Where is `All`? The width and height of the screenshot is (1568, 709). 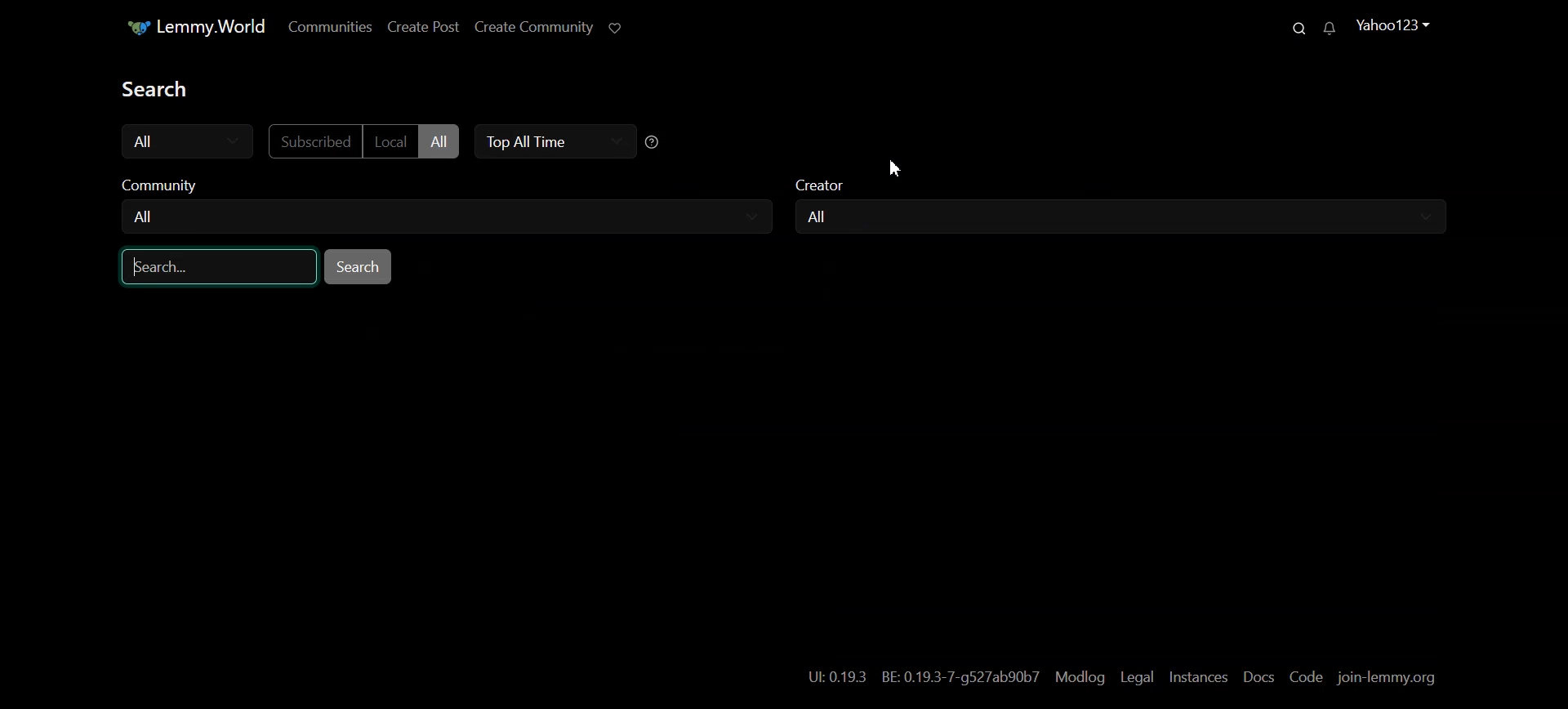 All is located at coordinates (439, 141).